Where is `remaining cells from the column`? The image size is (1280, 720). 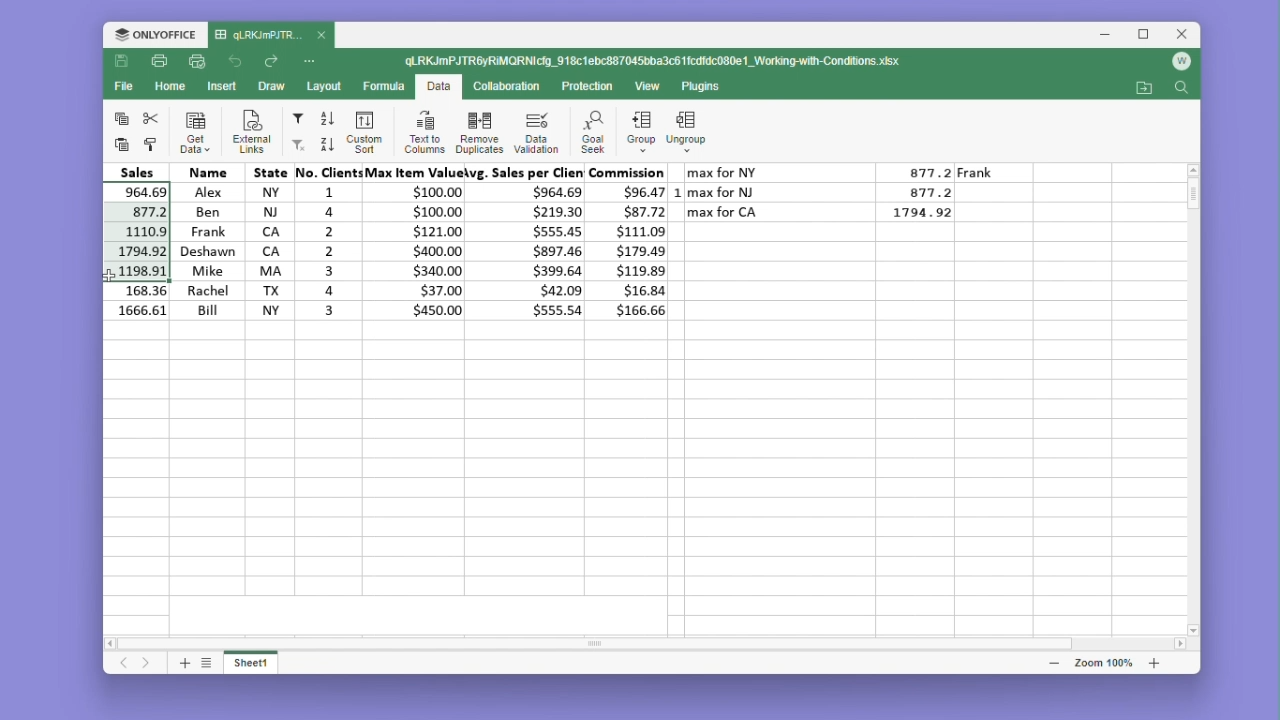
remaining cells from the column is located at coordinates (140, 303).